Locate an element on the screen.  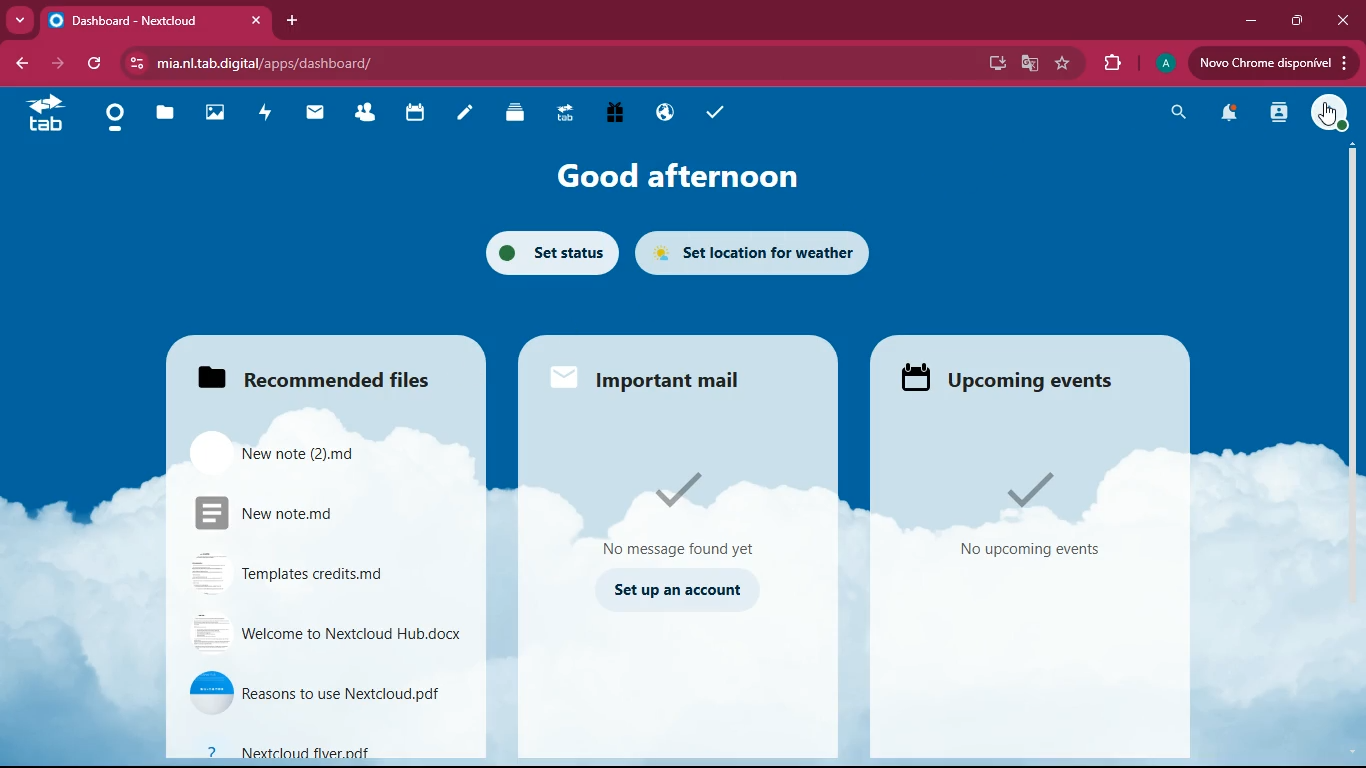
favorites is located at coordinates (1065, 65).